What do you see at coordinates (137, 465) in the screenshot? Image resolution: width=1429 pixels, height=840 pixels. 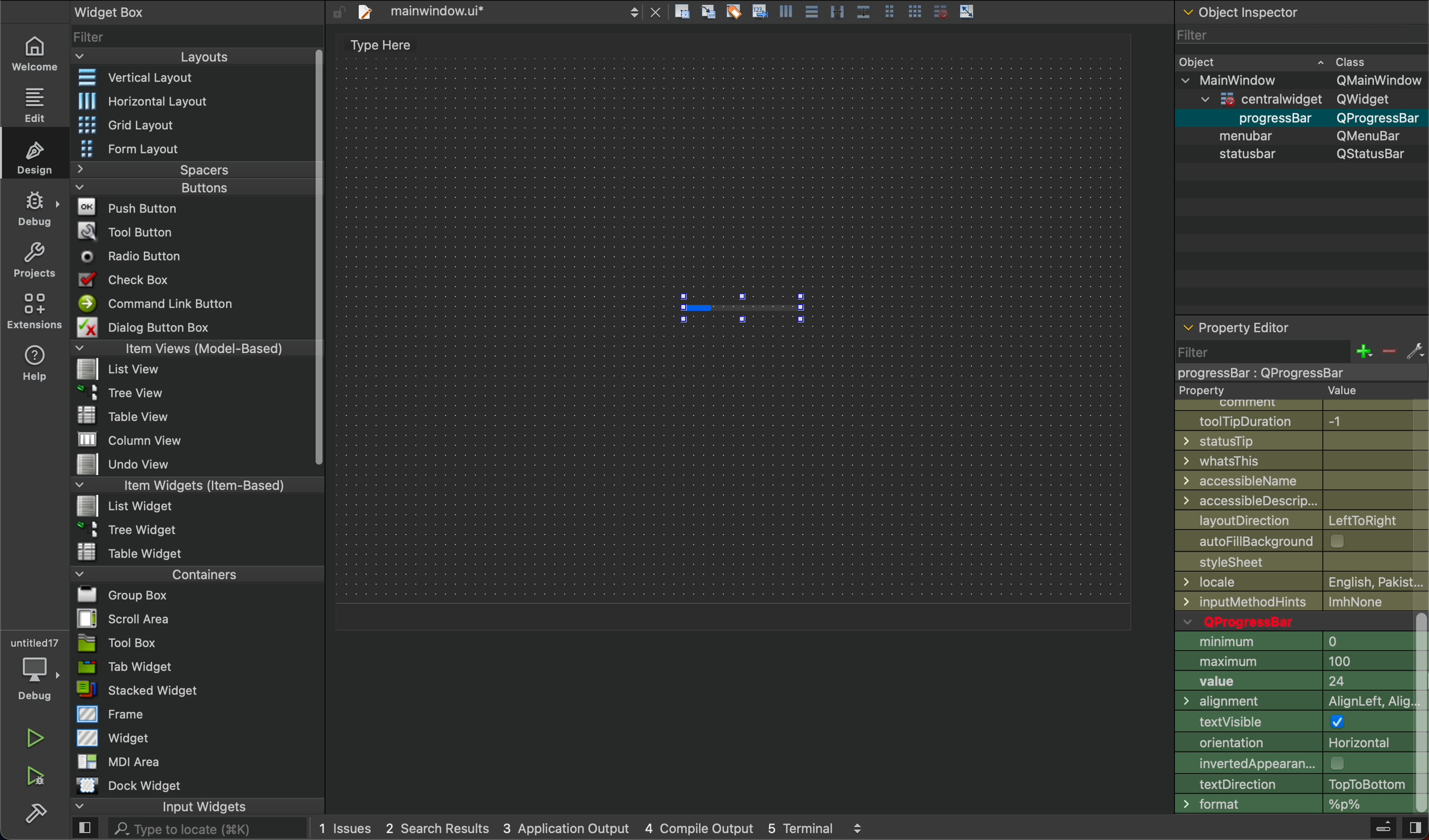 I see `File` at bounding box center [137, 465].